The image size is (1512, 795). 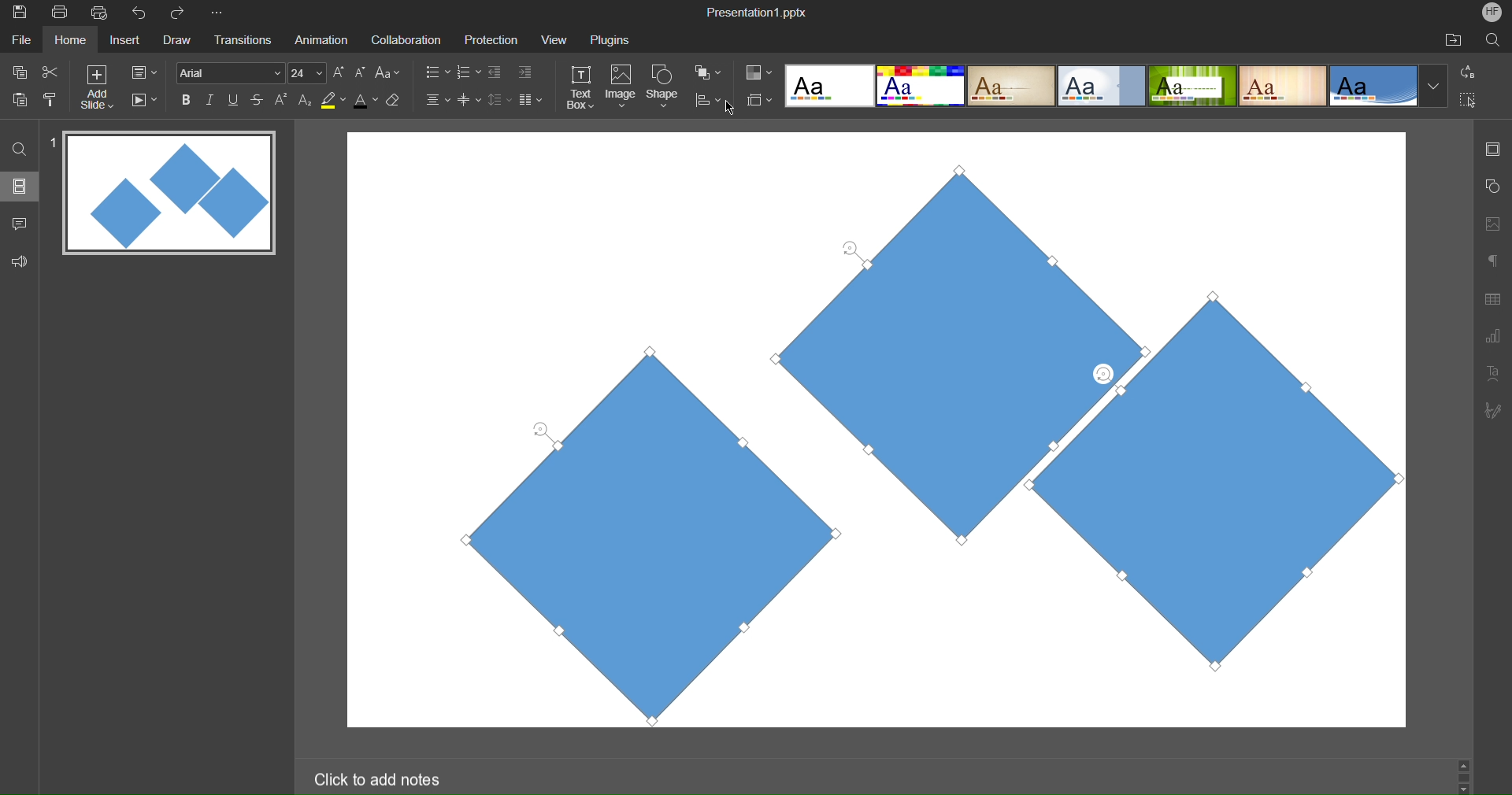 What do you see at coordinates (97, 87) in the screenshot?
I see `Add Slide` at bounding box center [97, 87].